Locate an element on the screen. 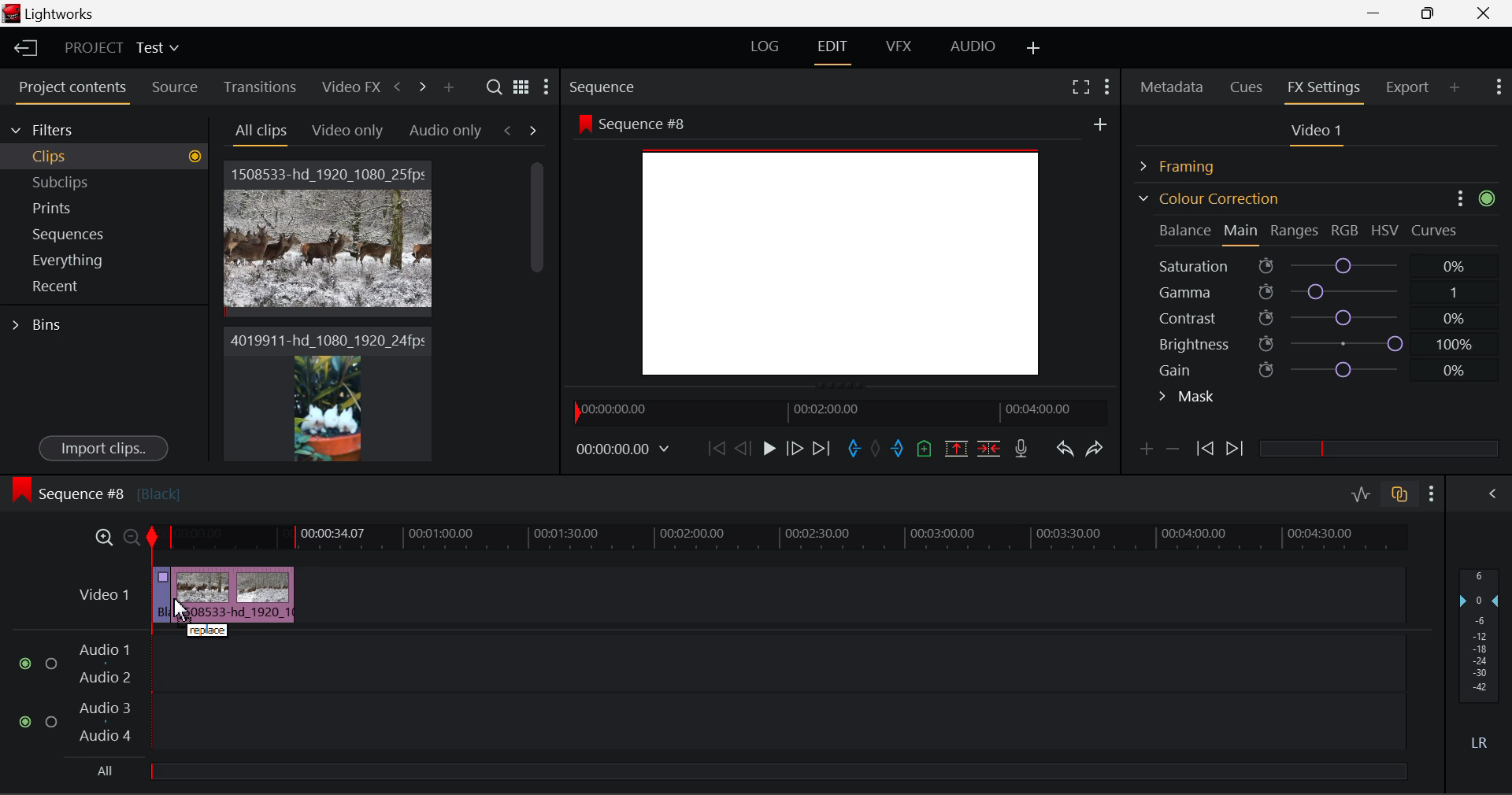 This screenshot has height=795, width=1512. Previous keyframe is located at coordinates (1203, 449).